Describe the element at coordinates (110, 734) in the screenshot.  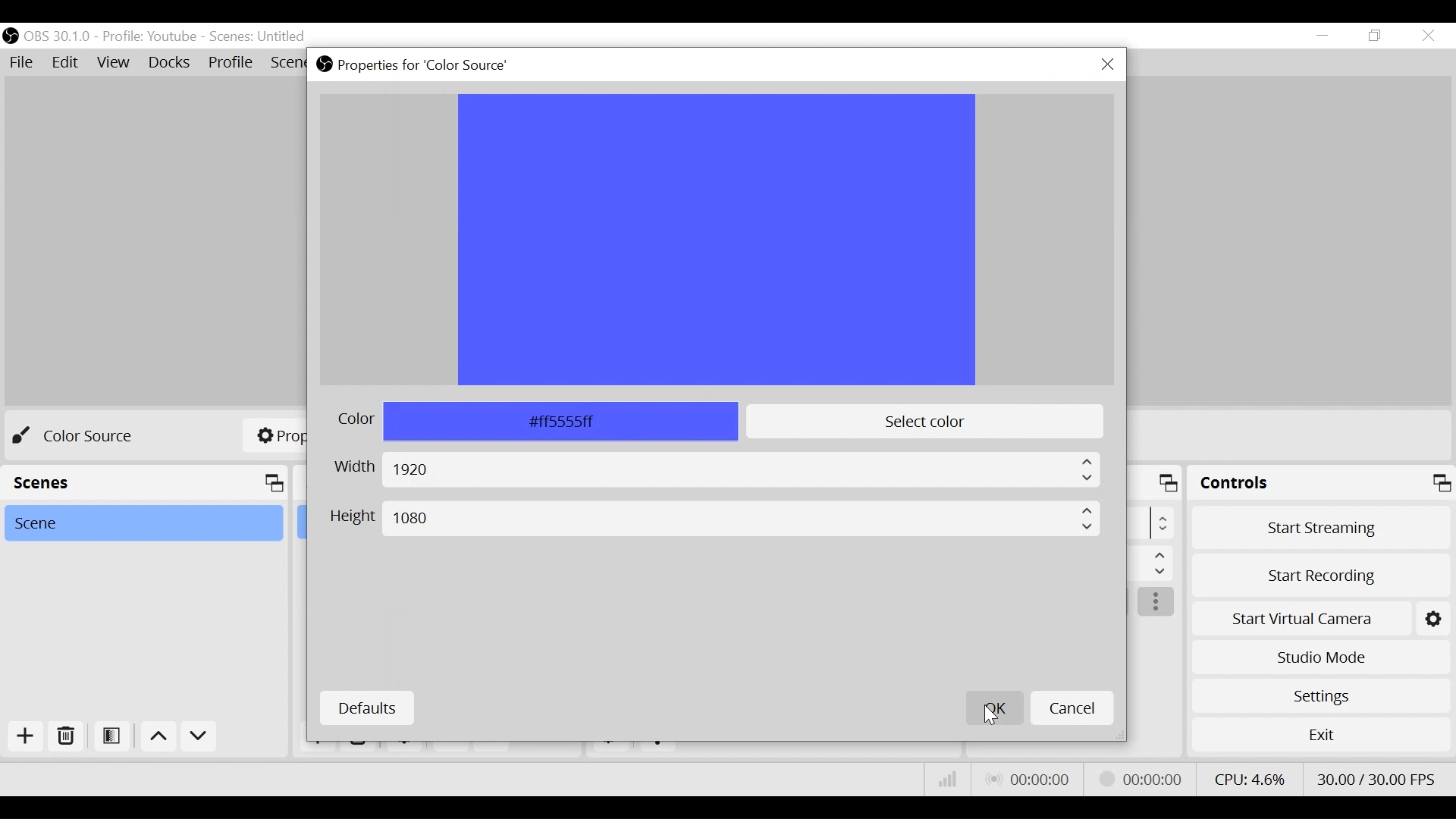
I see `Open Scene Filter` at that location.